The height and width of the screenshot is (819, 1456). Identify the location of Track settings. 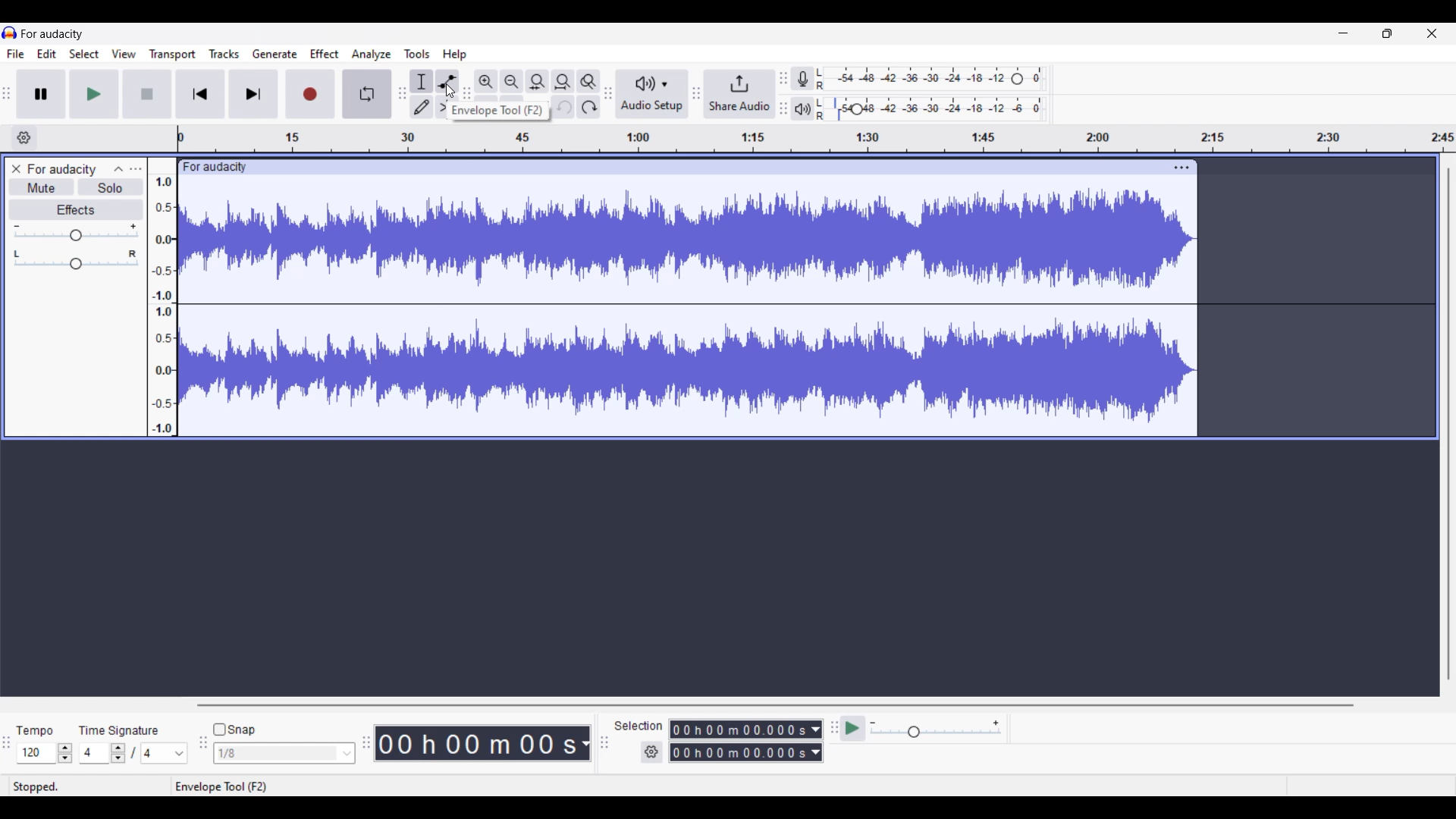
(1182, 168).